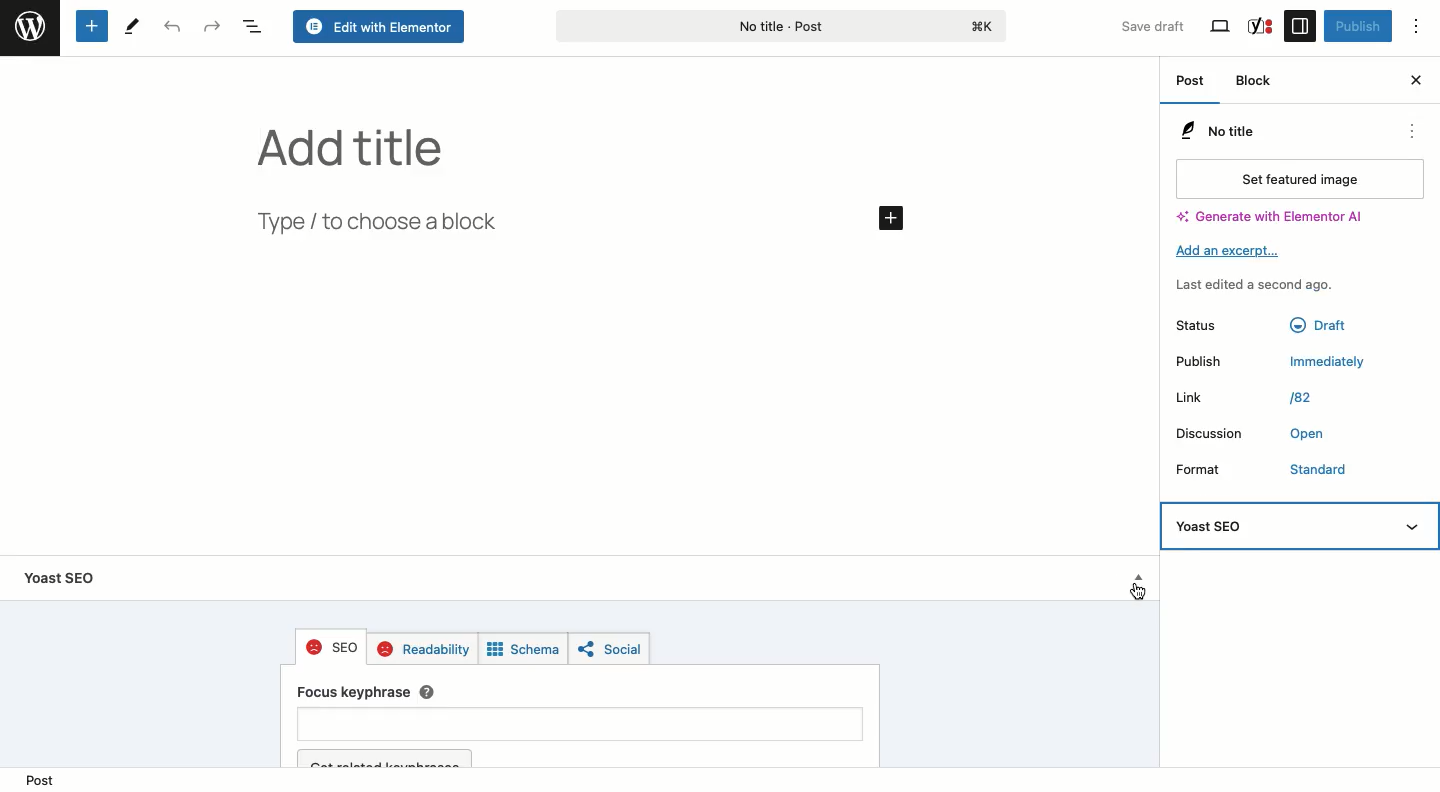 The image size is (1440, 792). What do you see at coordinates (582, 726) in the screenshot?
I see `Focus key phrase` at bounding box center [582, 726].